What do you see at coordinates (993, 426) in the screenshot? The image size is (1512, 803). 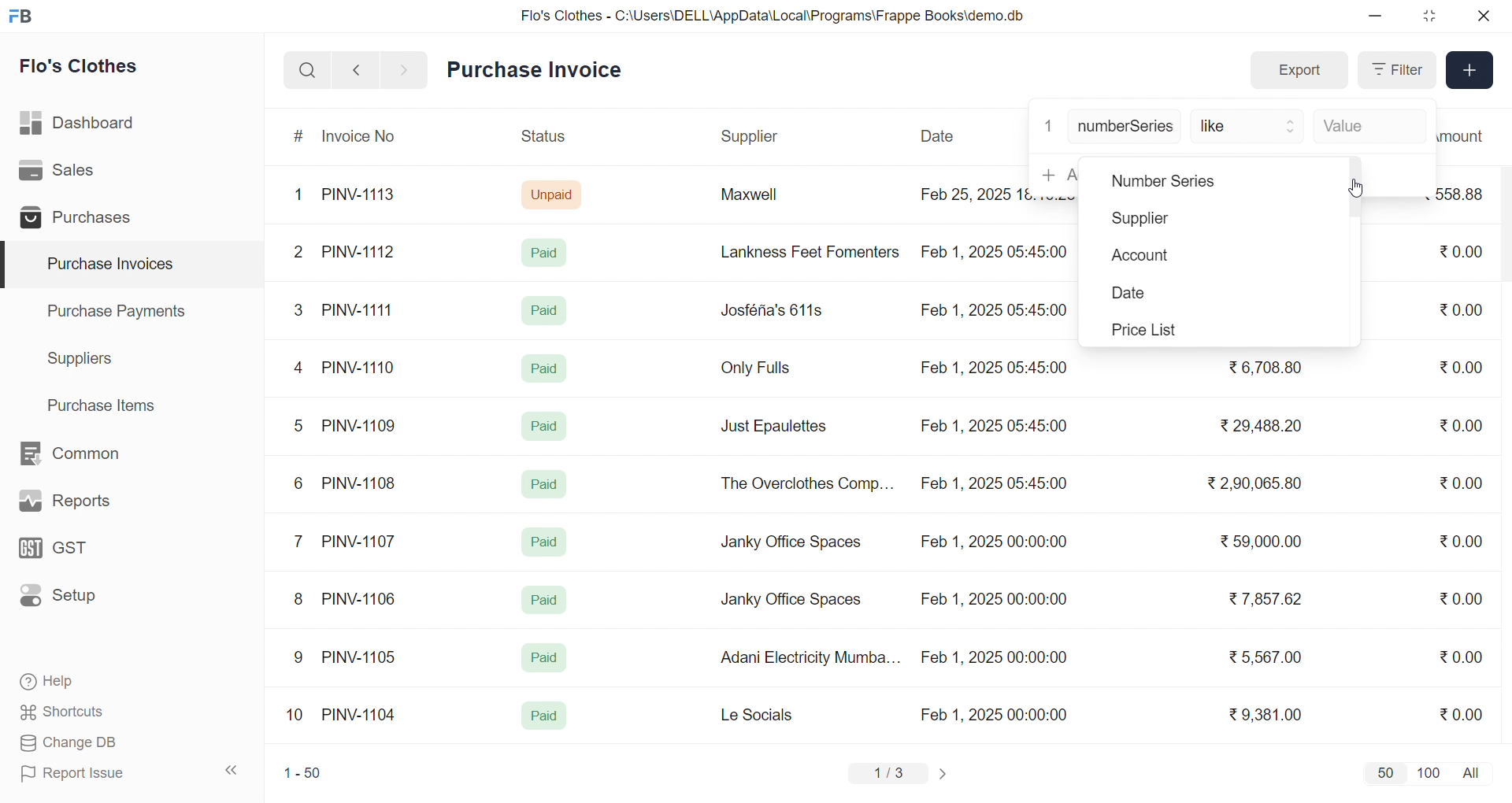 I see `Feb 1, 2025 05:45:00` at bounding box center [993, 426].